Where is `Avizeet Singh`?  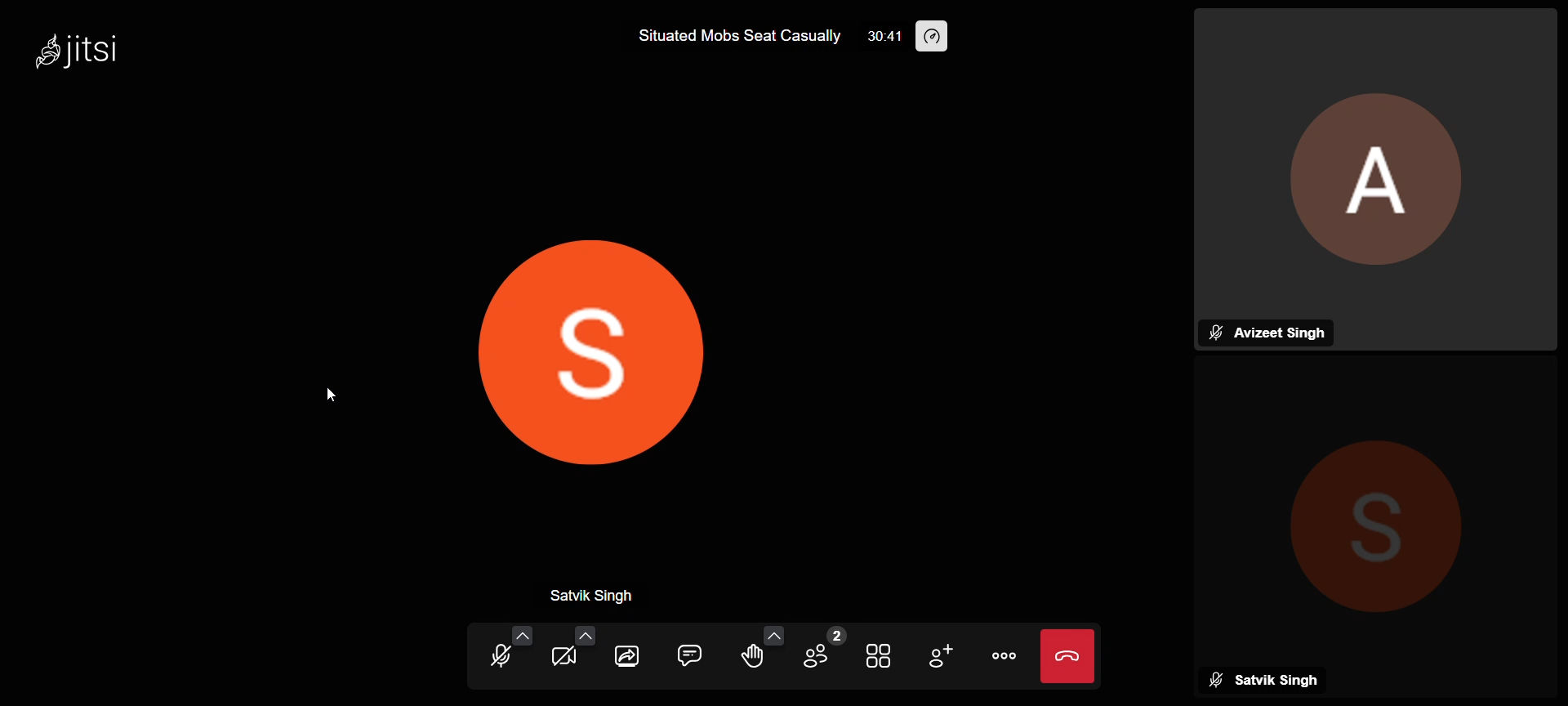 Avizeet Singh is located at coordinates (1265, 330).